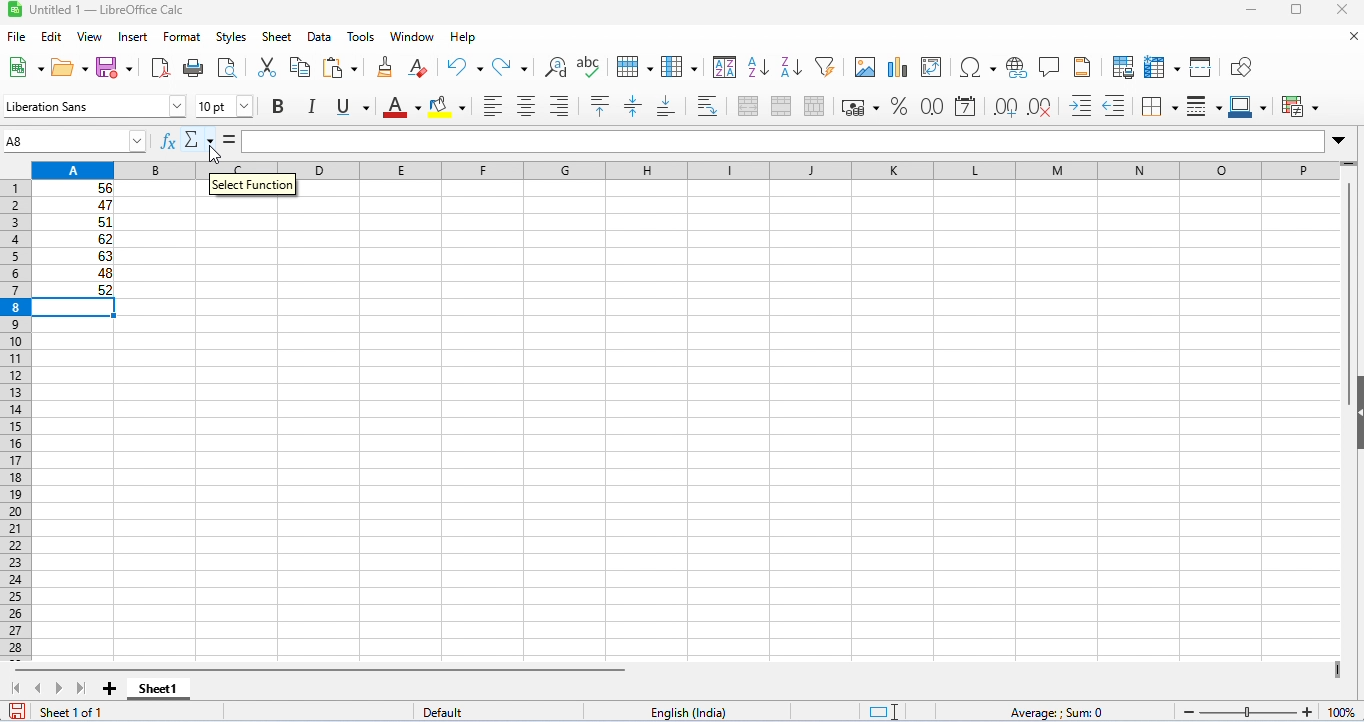 The width and height of the screenshot is (1364, 722). Describe the element at coordinates (757, 66) in the screenshot. I see `sort asending` at that location.